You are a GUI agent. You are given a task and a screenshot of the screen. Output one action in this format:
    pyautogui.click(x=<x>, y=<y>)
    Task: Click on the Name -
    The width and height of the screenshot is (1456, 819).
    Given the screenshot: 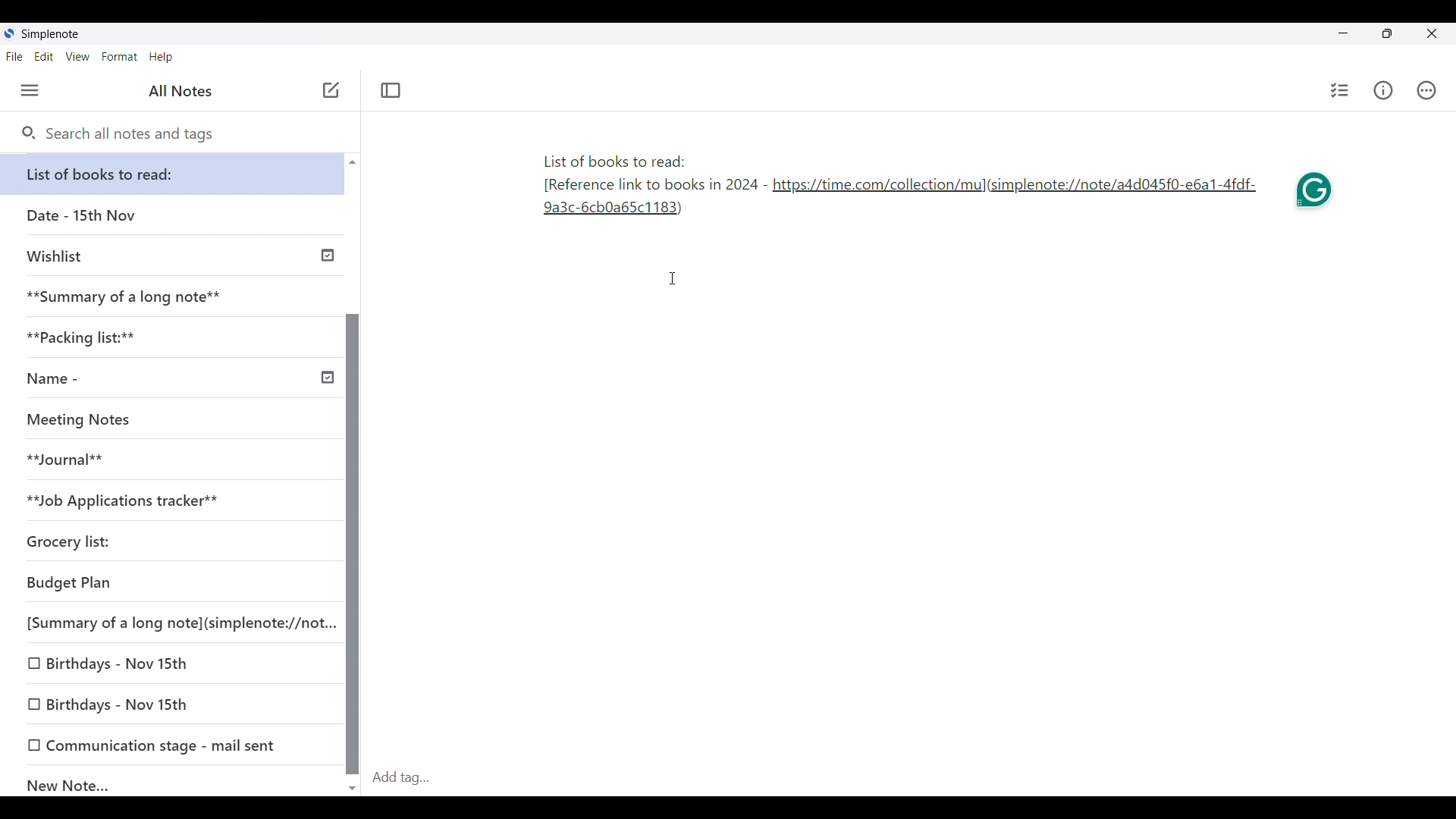 What is the action you would take?
    pyautogui.click(x=177, y=380)
    